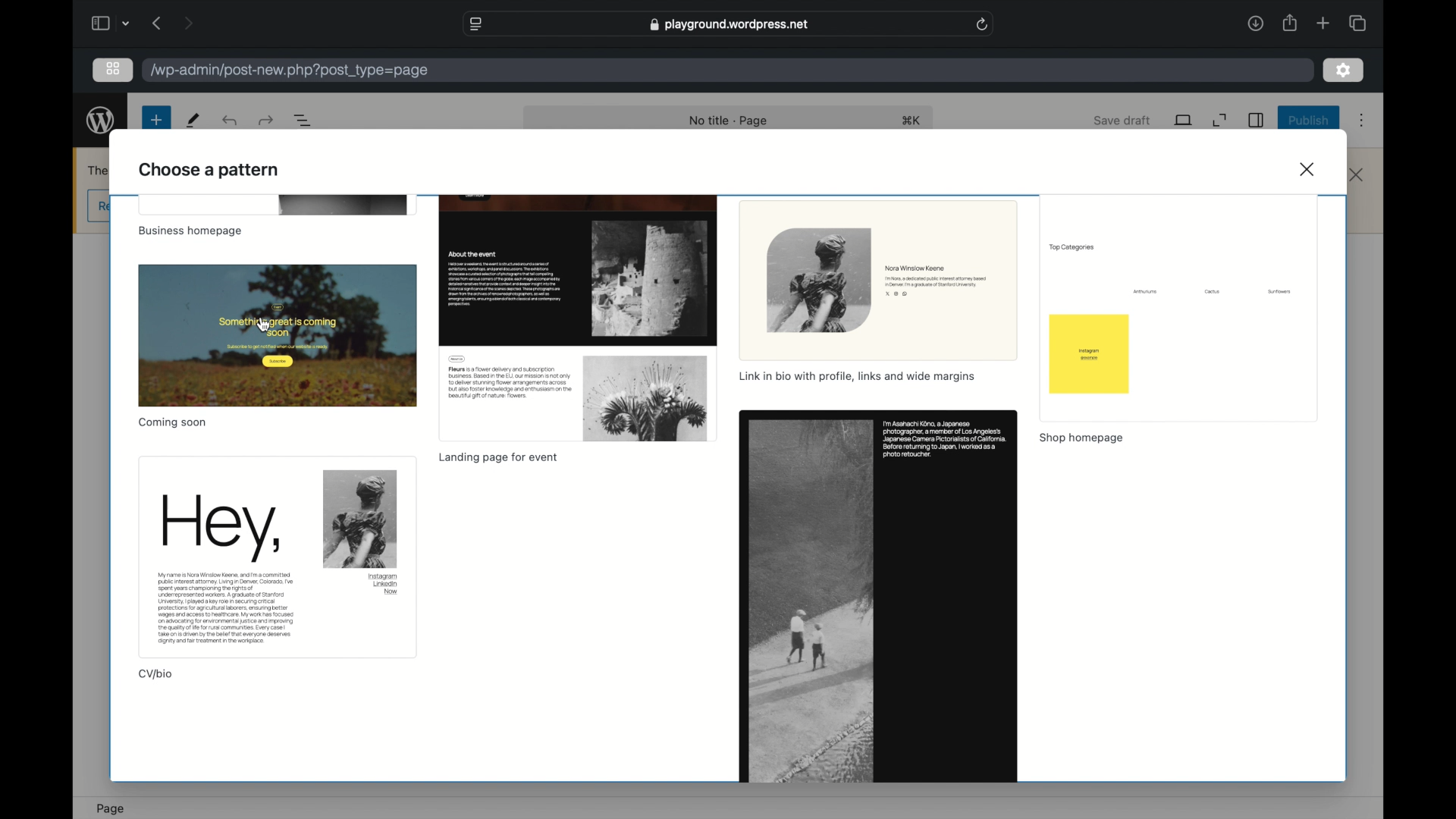  What do you see at coordinates (210, 171) in the screenshot?
I see `choose a pattern` at bounding box center [210, 171].